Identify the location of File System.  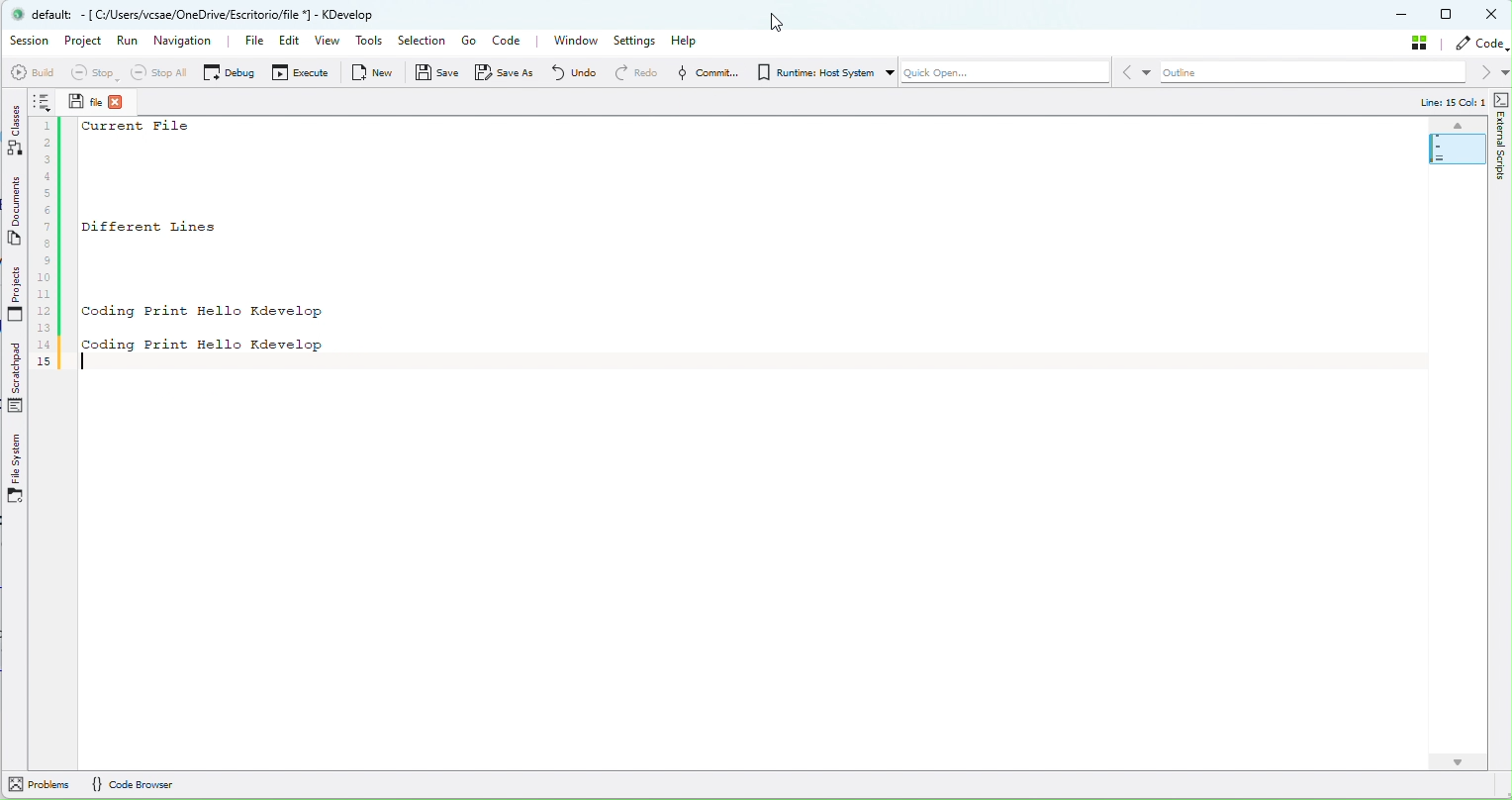
(16, 469).